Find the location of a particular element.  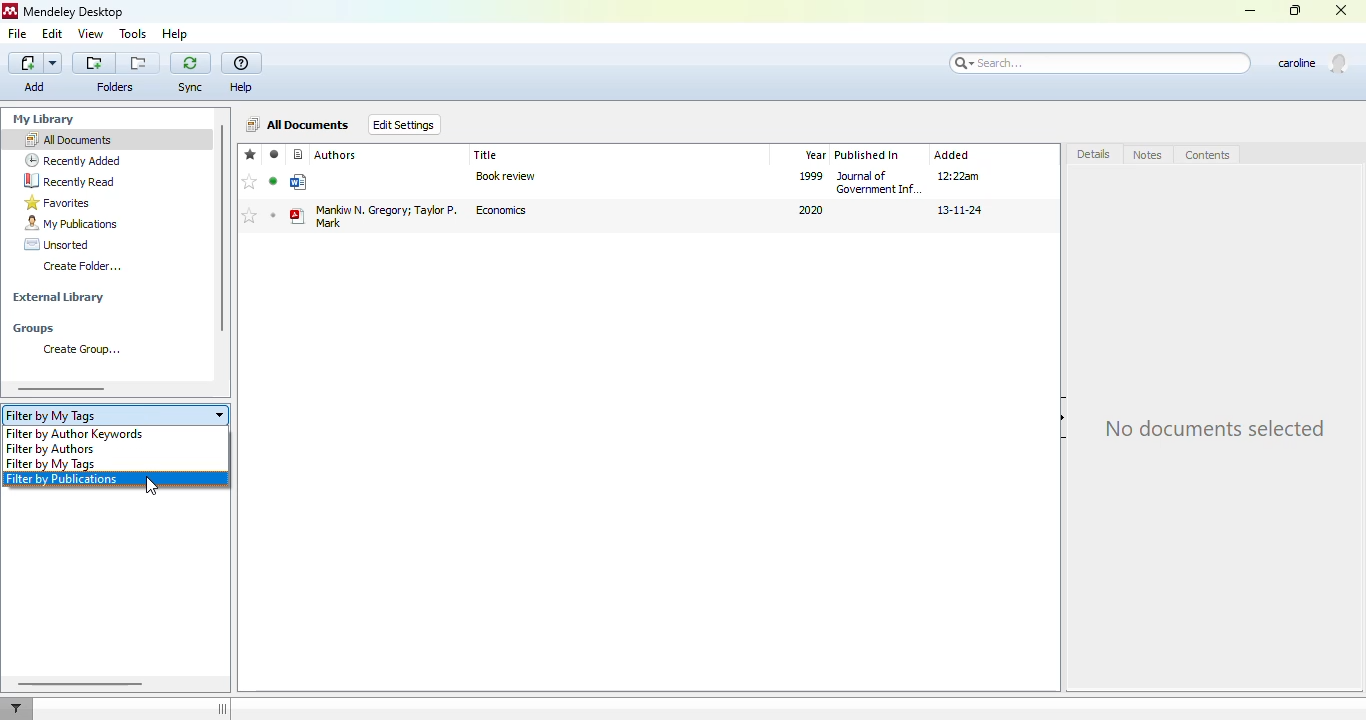

details is located at coordinates (1095, 153).